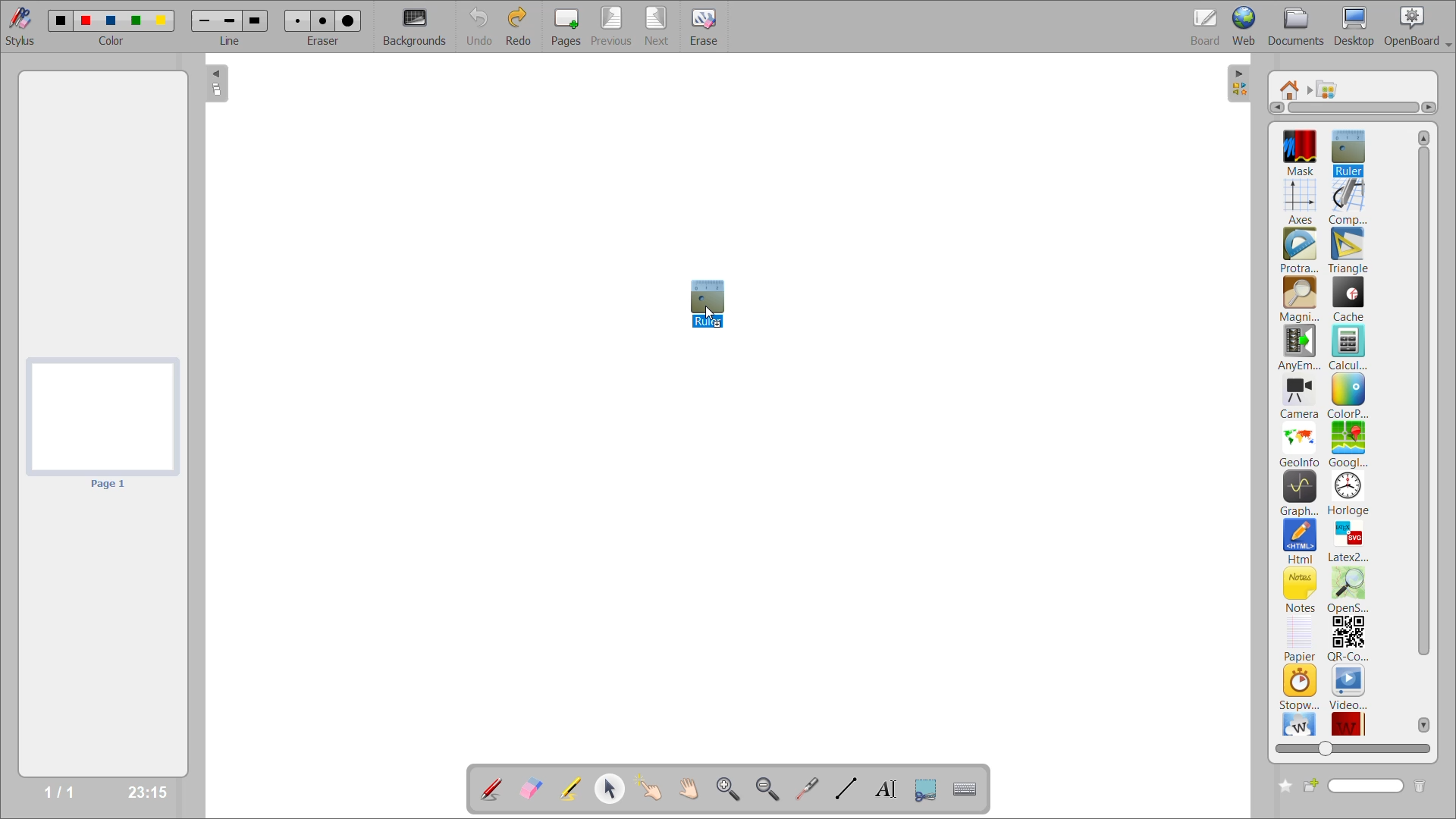 This screenshot has height=819, width=1456. Describe the element at coordinates (1246, 25) in the screenshot. I see `web` at that location.